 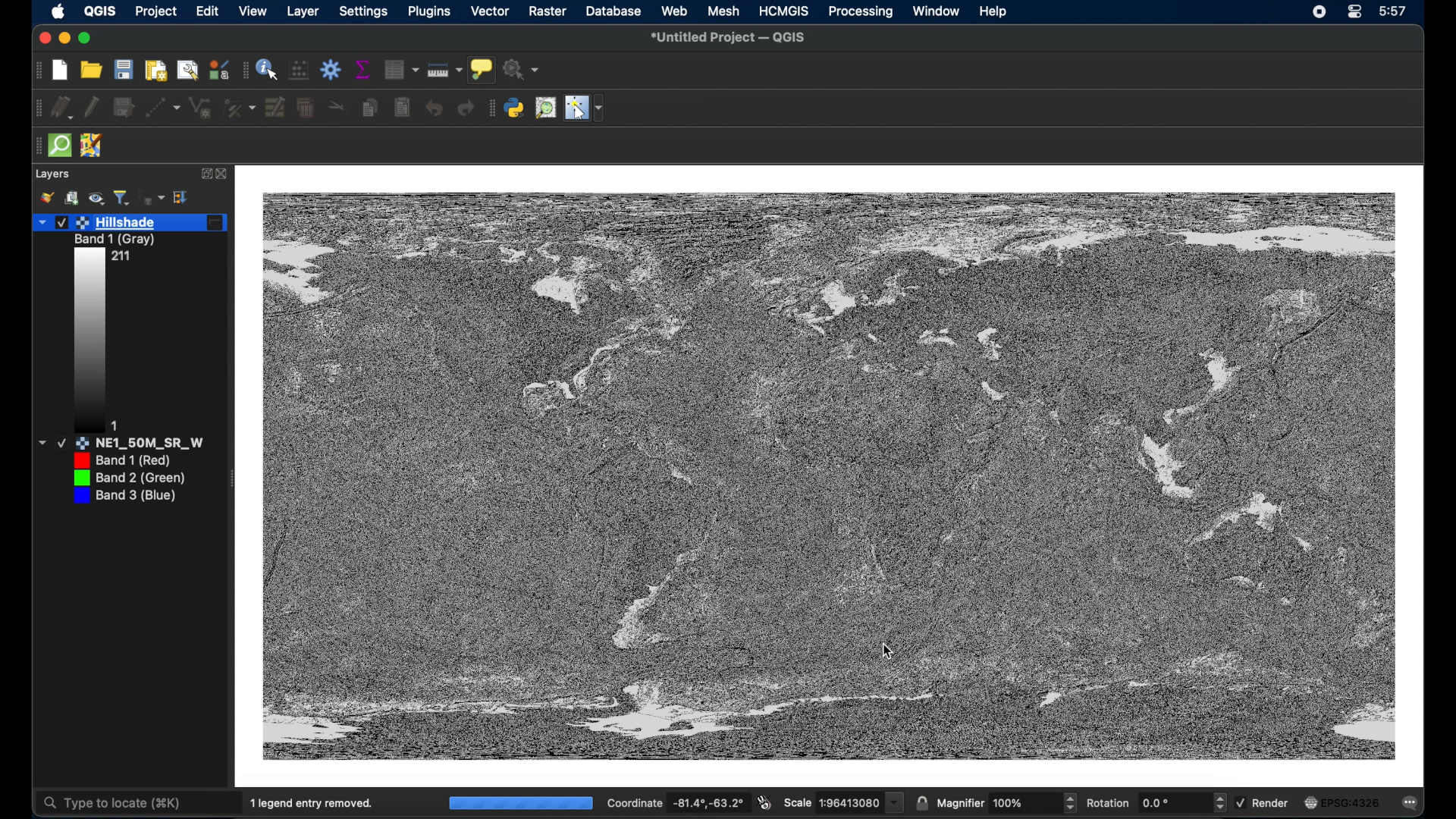 What do you see at coordinates (675, 11) in the screenshot?
I see `web` at bounding box center [675, 11].